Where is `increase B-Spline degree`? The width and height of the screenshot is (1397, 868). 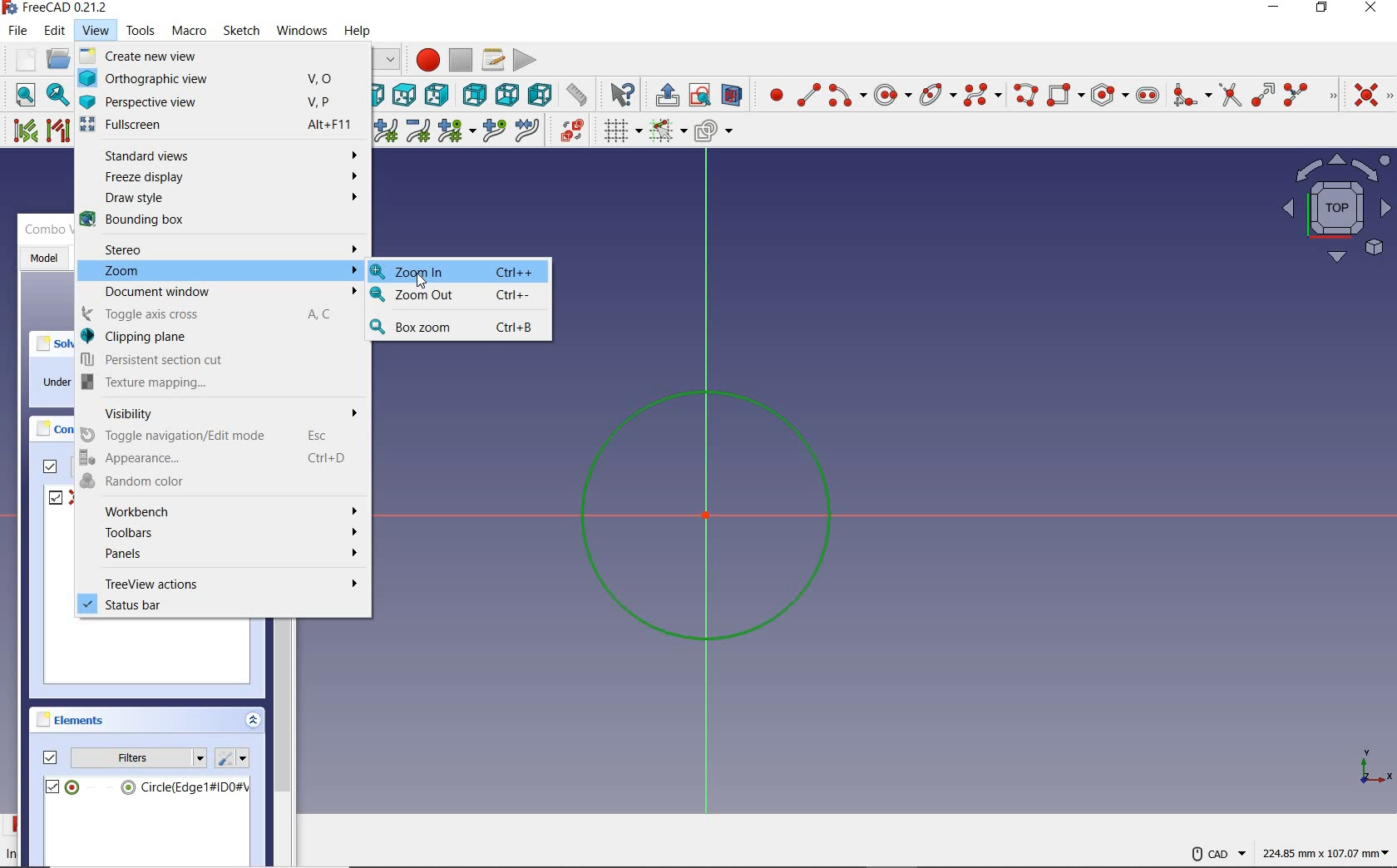
increase B-Spline degree is located at coordinates (383, 131).